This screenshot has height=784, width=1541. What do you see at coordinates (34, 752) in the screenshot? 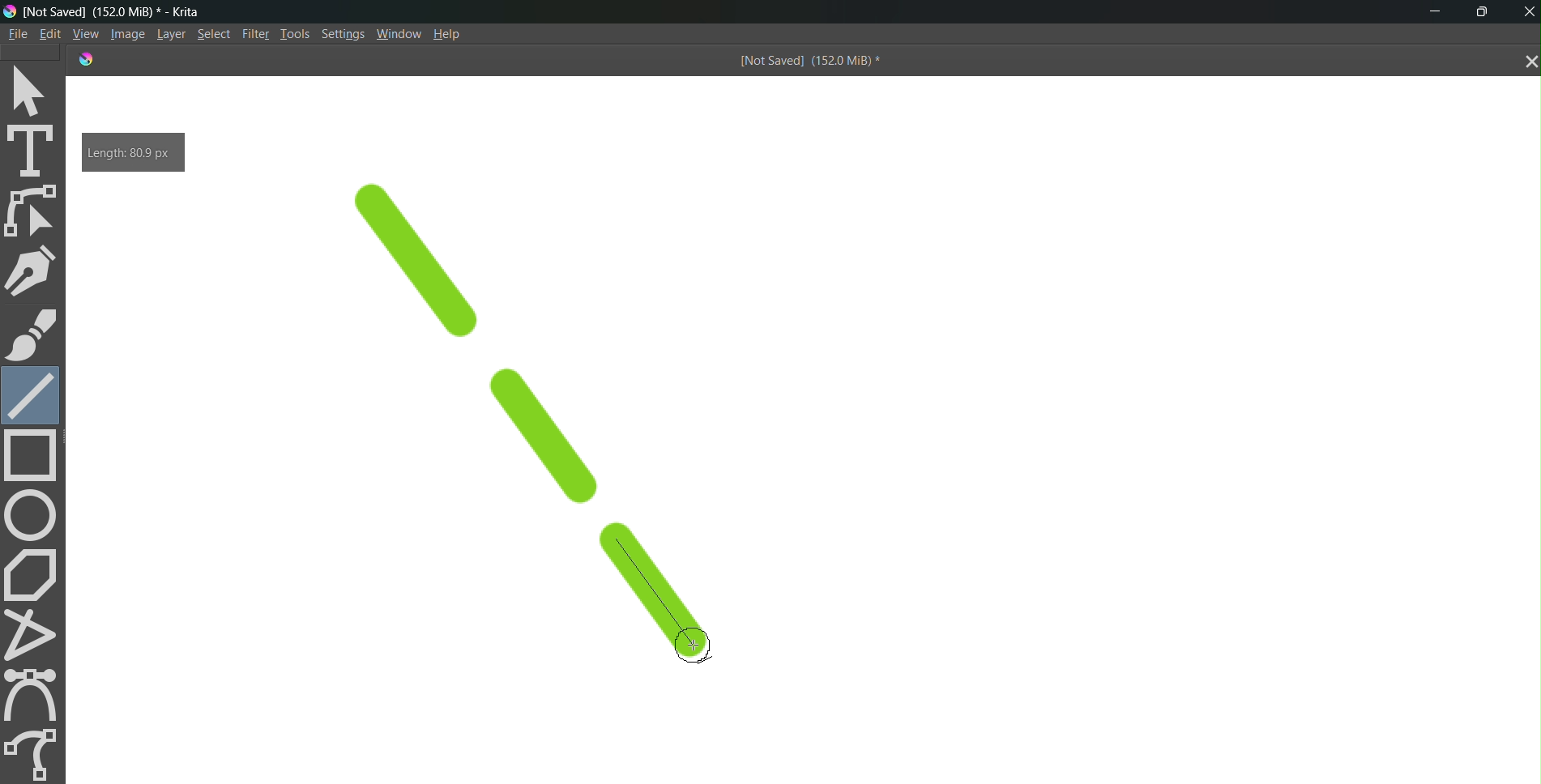
I see `freehand` at bounding box center [34, 752].